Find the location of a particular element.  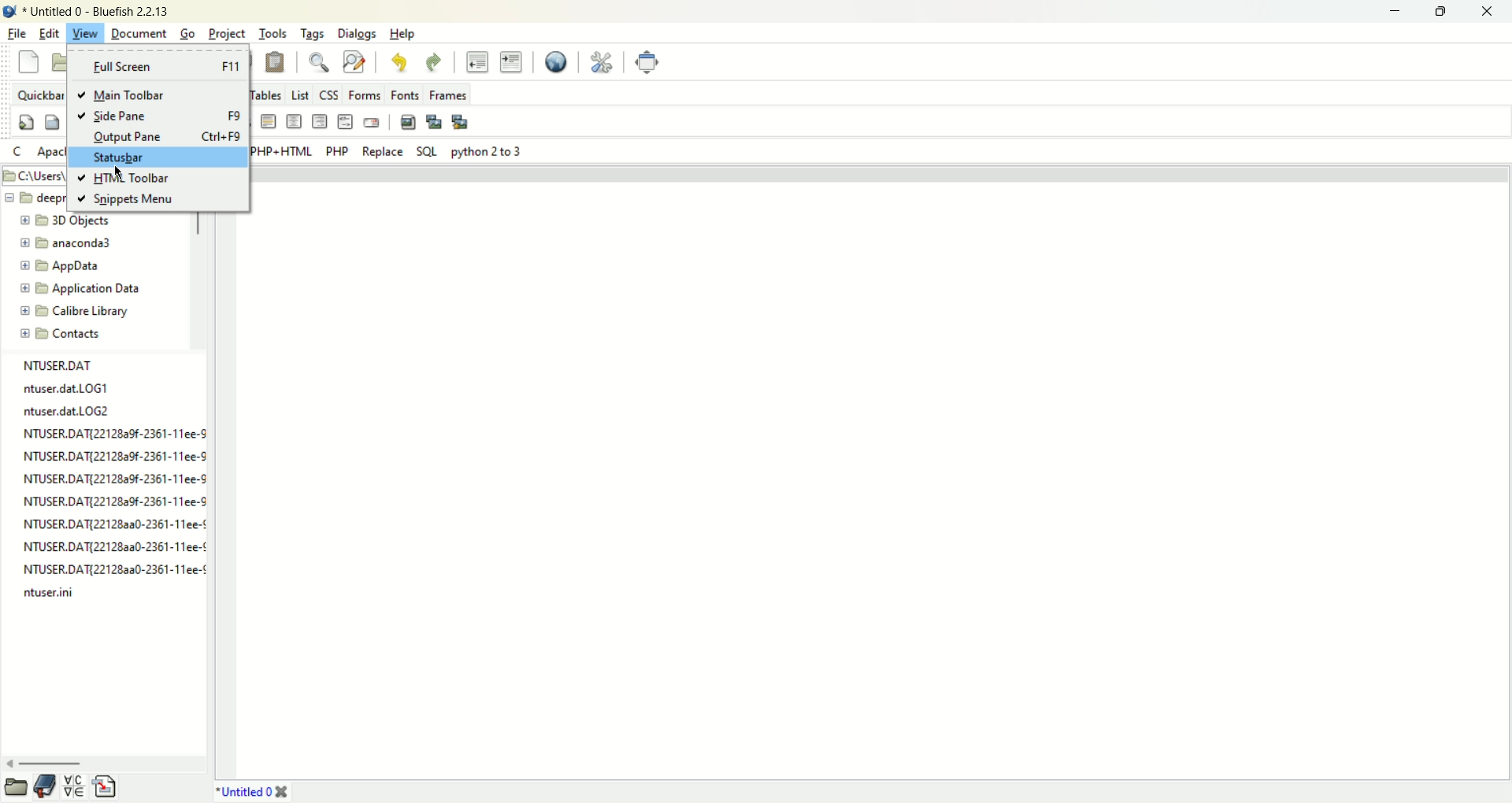

indent is located at coordinates (511, 61).